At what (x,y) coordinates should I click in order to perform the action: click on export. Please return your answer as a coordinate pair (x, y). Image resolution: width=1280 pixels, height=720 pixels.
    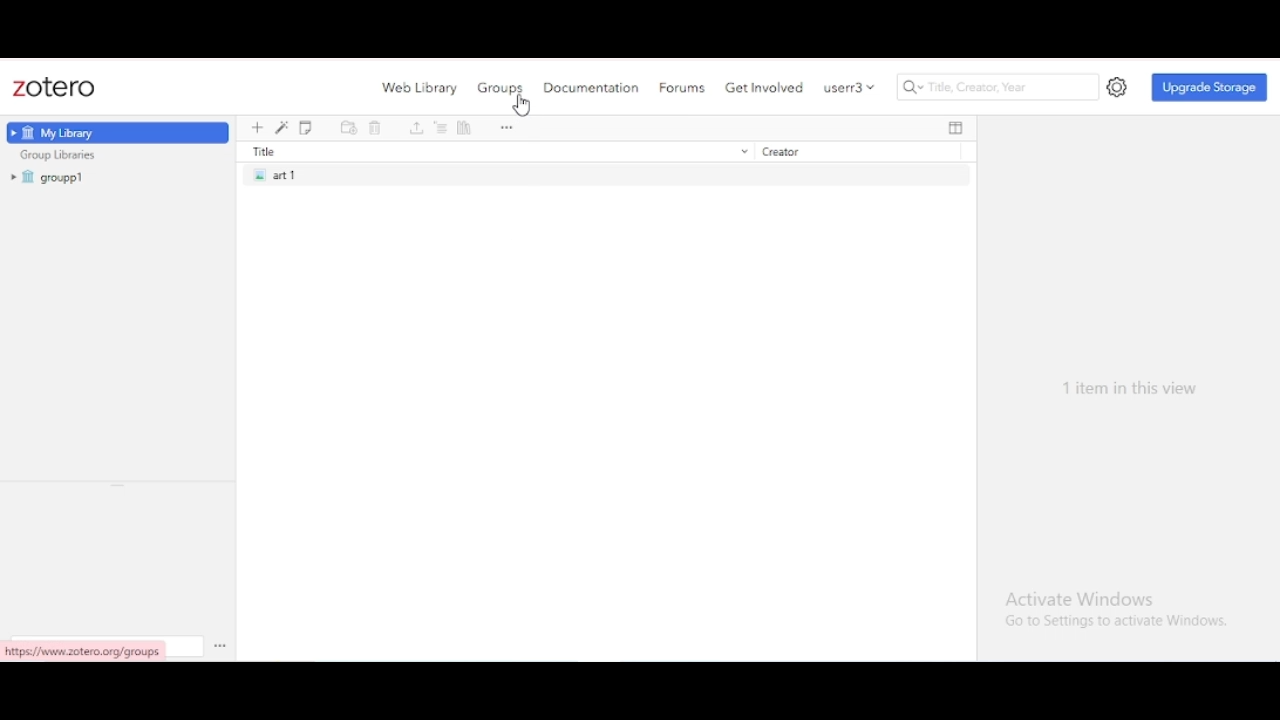
    Looking at the image, I should click on (417, 129).